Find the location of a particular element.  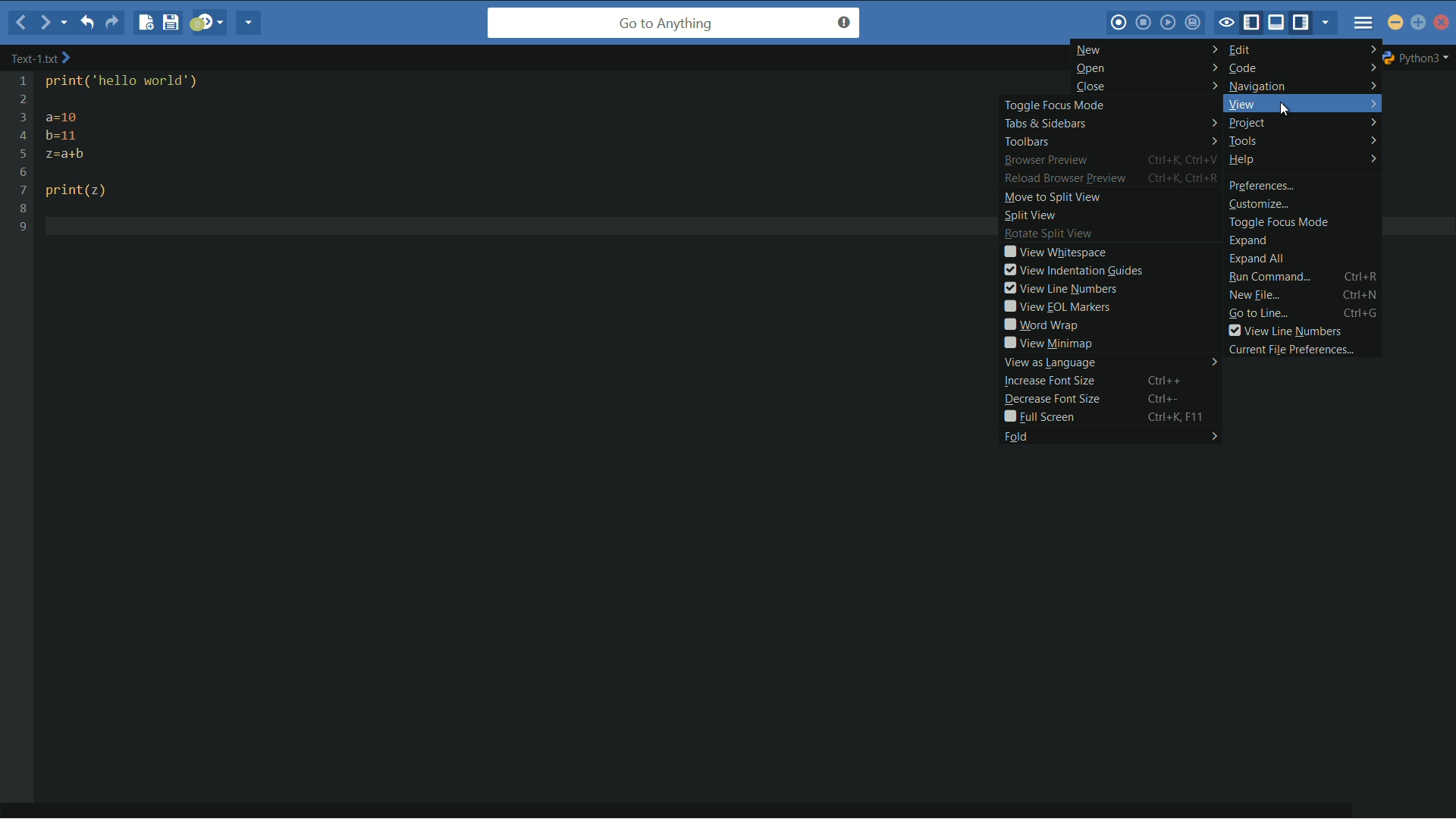

help is located at coordinates (1304, 161).